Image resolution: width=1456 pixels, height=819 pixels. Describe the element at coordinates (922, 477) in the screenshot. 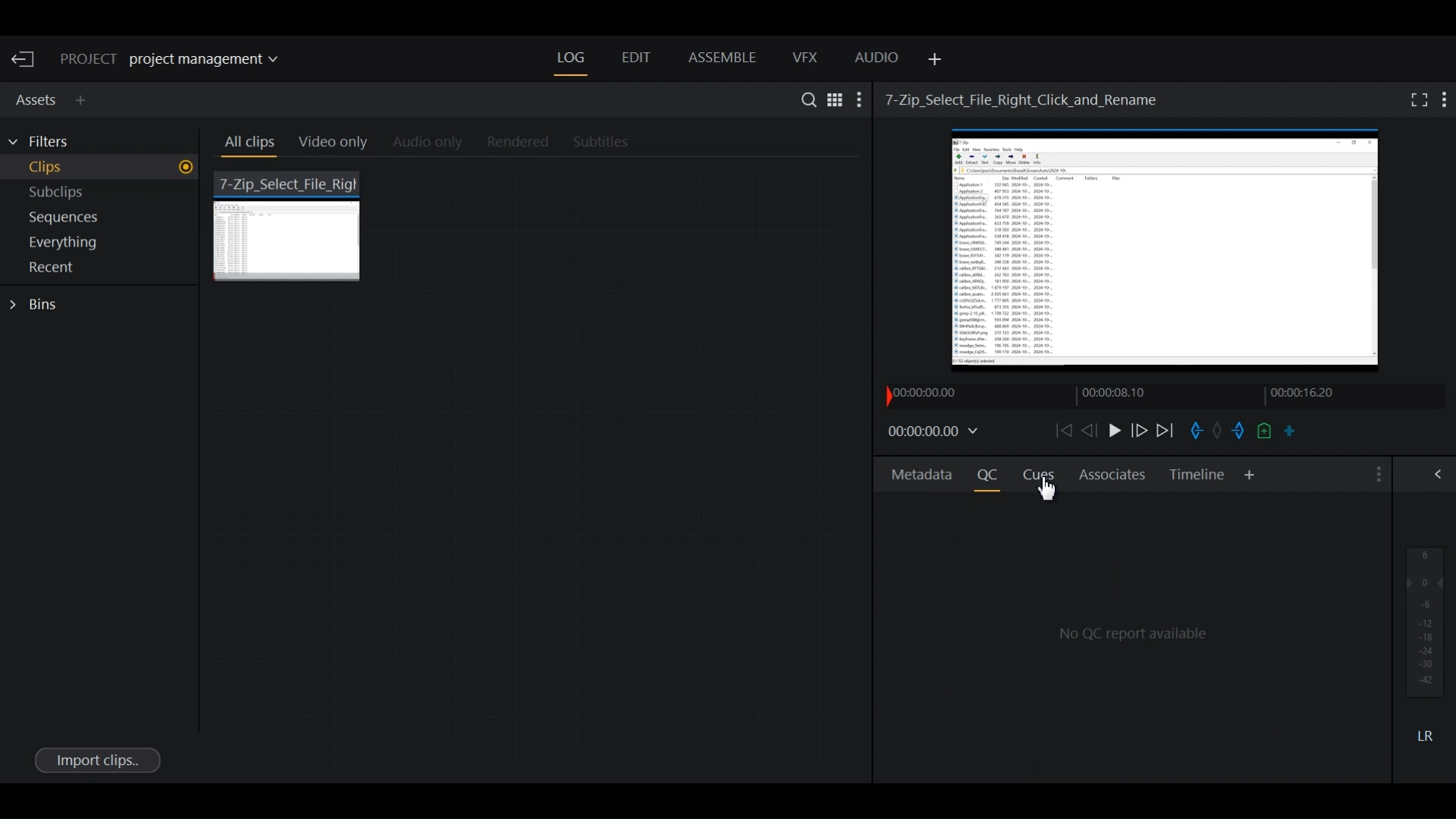

I see `Metadata` at that location.